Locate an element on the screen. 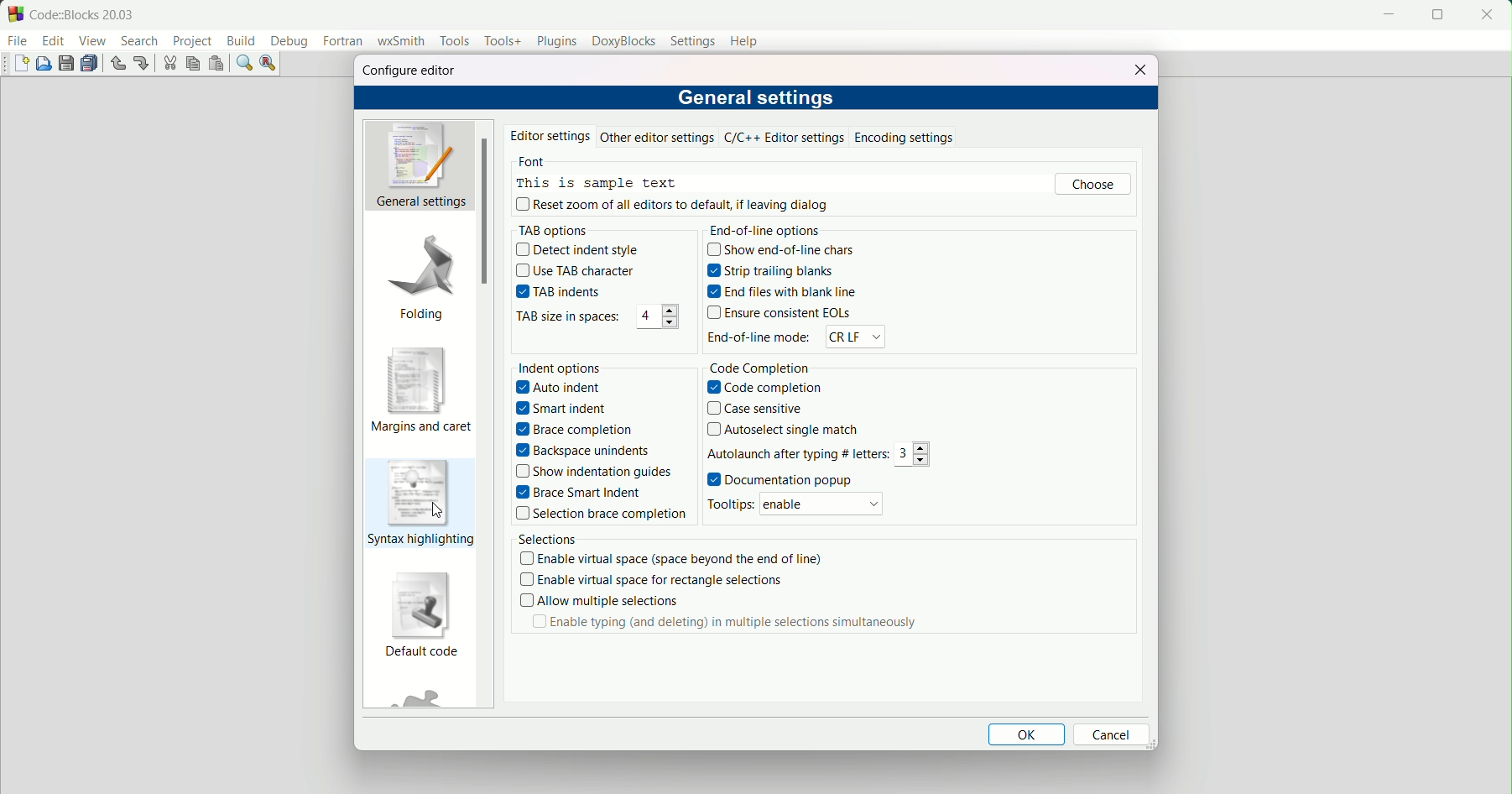 The height and width of the screenshot is (794, 1512). end of line mode is located at coordinates (758, 338).